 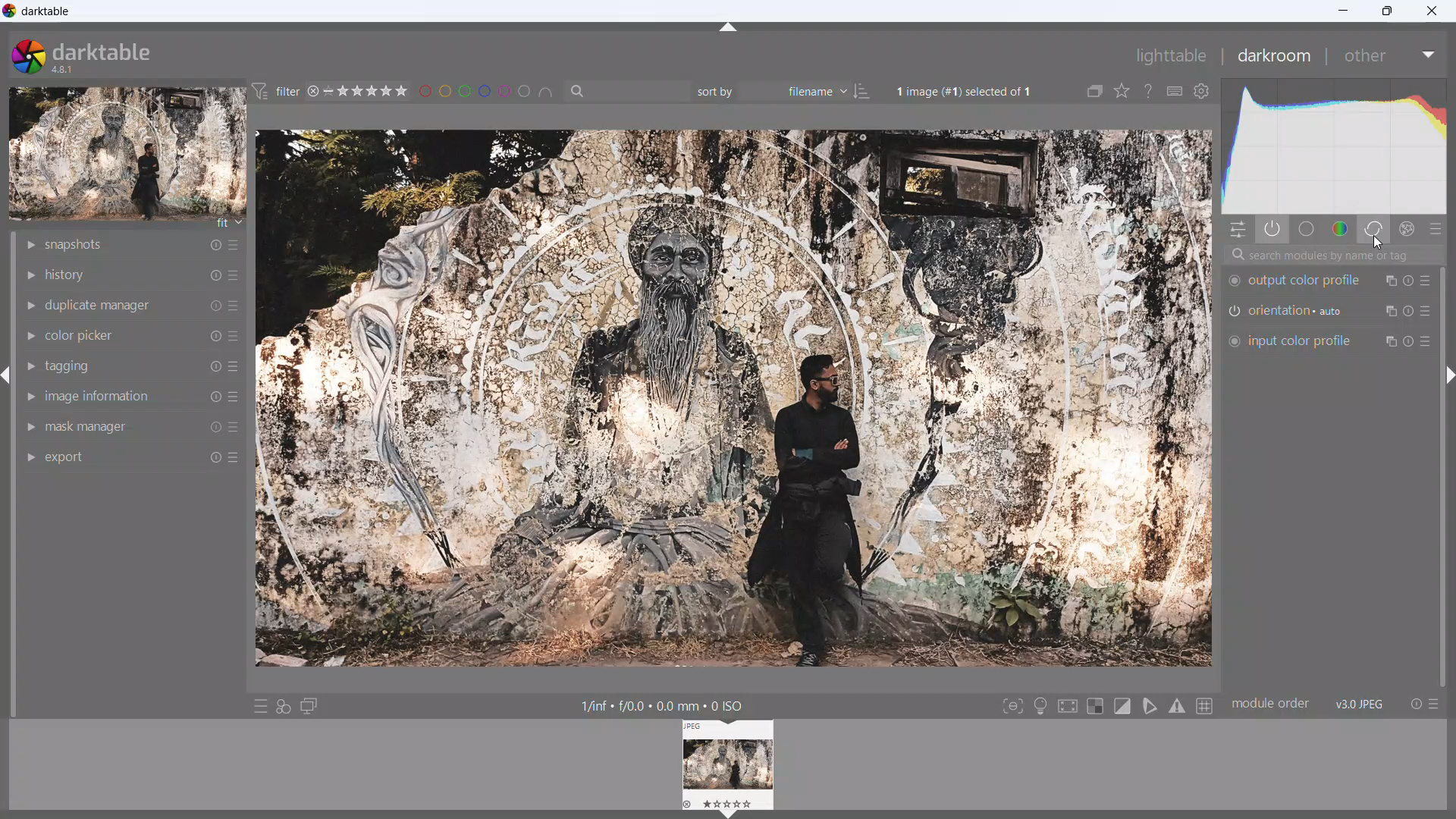 What do you see at coordinates (312, 706) in the screenshot?
I see `display a second darkroom image window` at bounding box center [312, 706].